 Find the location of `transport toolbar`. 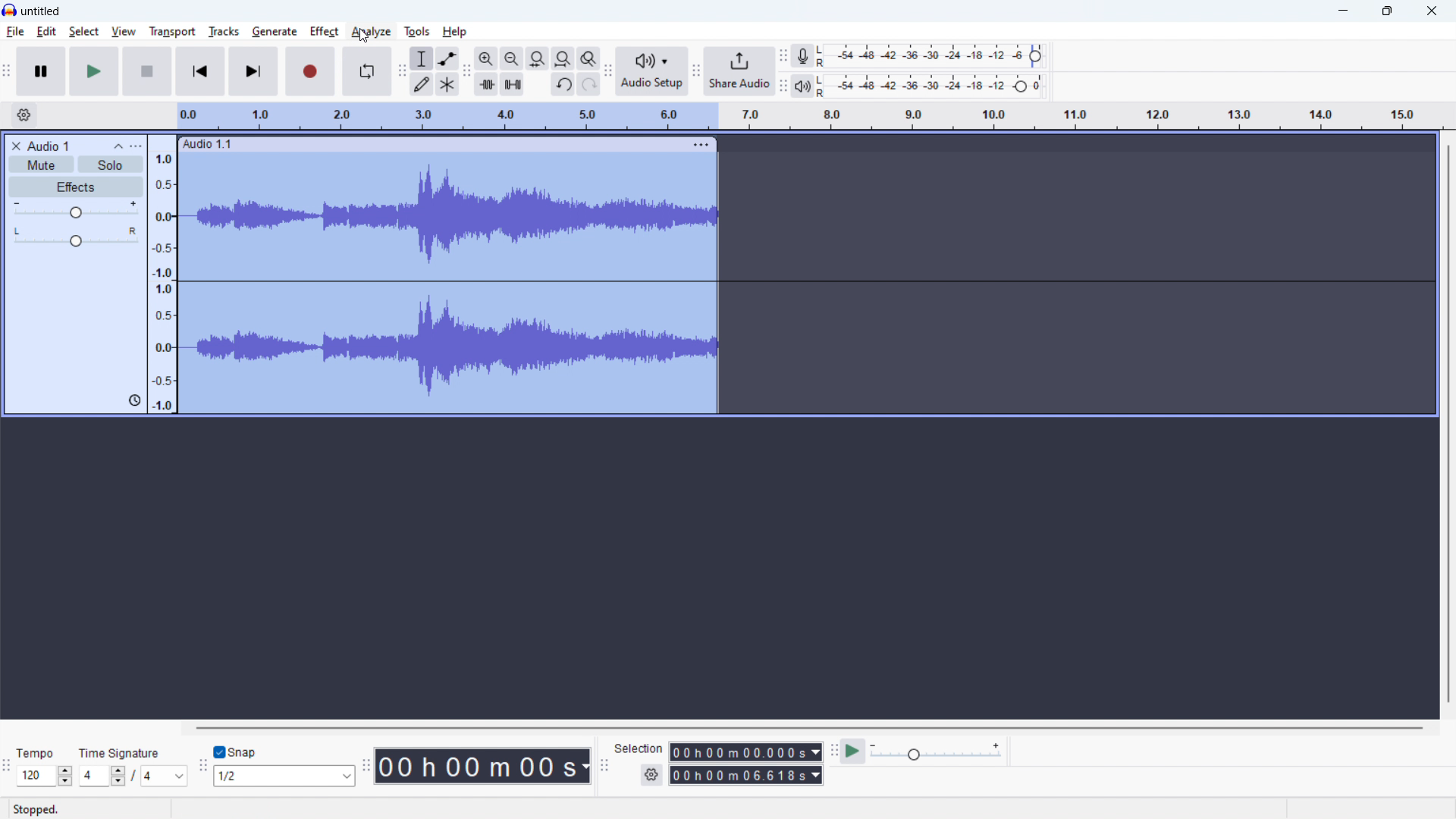

transport toolbar is located at coordinates (7, 74).